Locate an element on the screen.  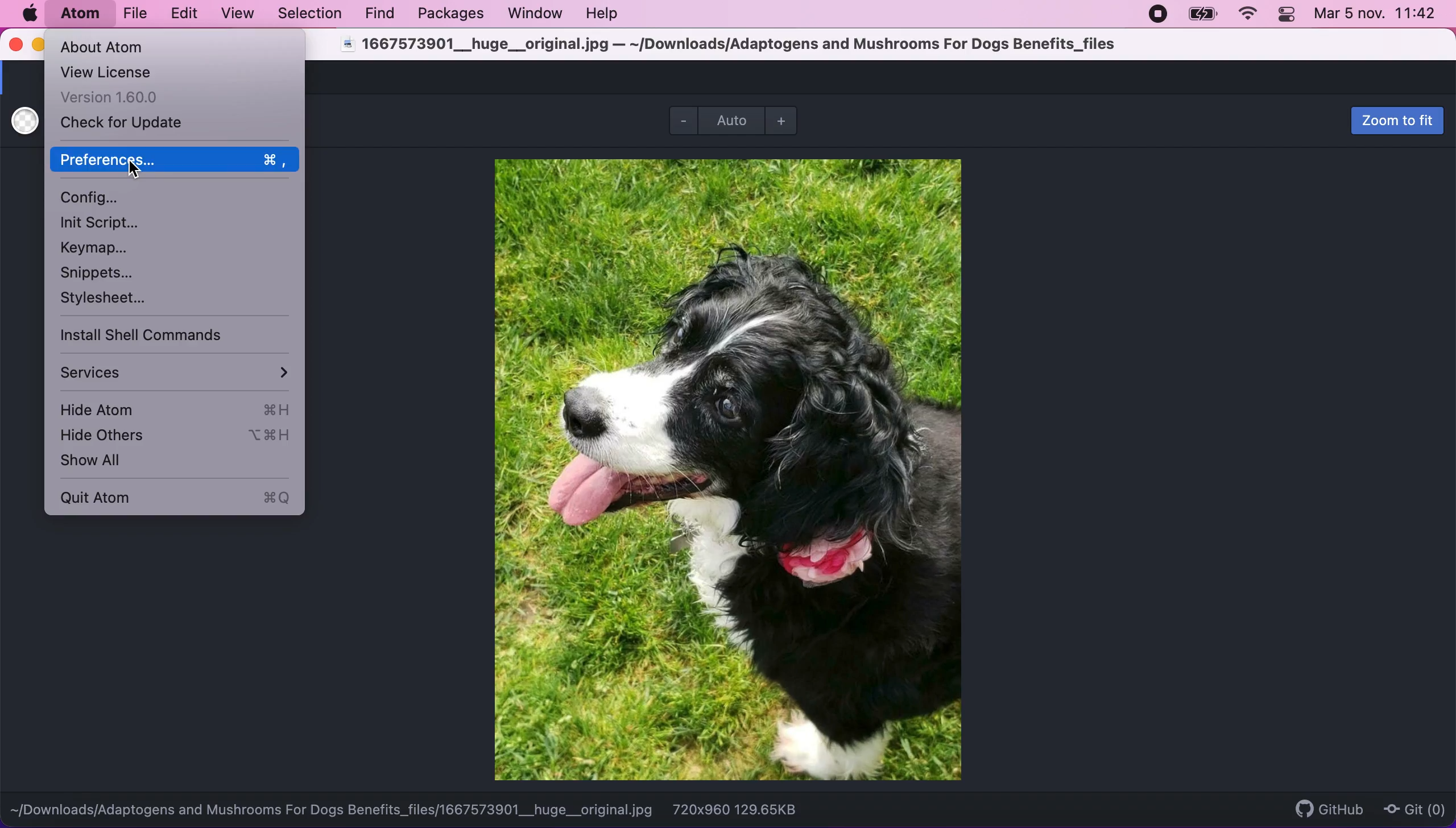
panel control is located at coordinates (1286, 15).